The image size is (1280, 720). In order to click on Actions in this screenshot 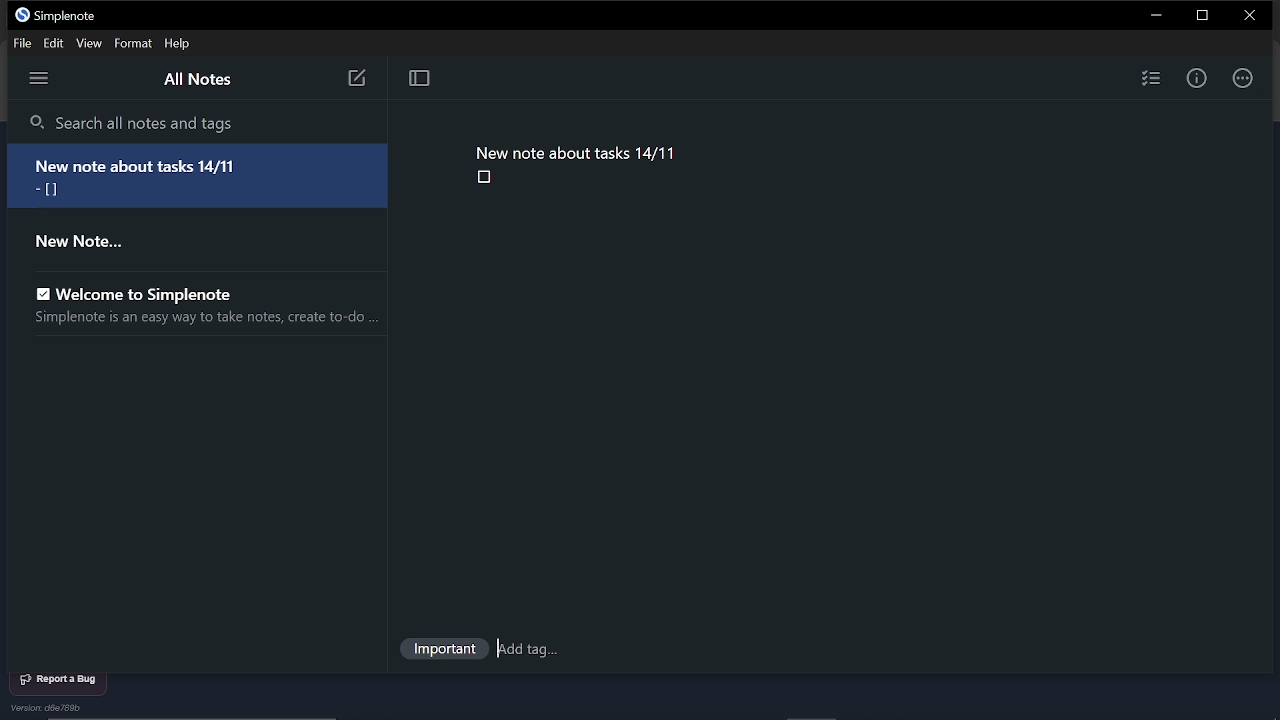, I will do `click(1244, 76)`.